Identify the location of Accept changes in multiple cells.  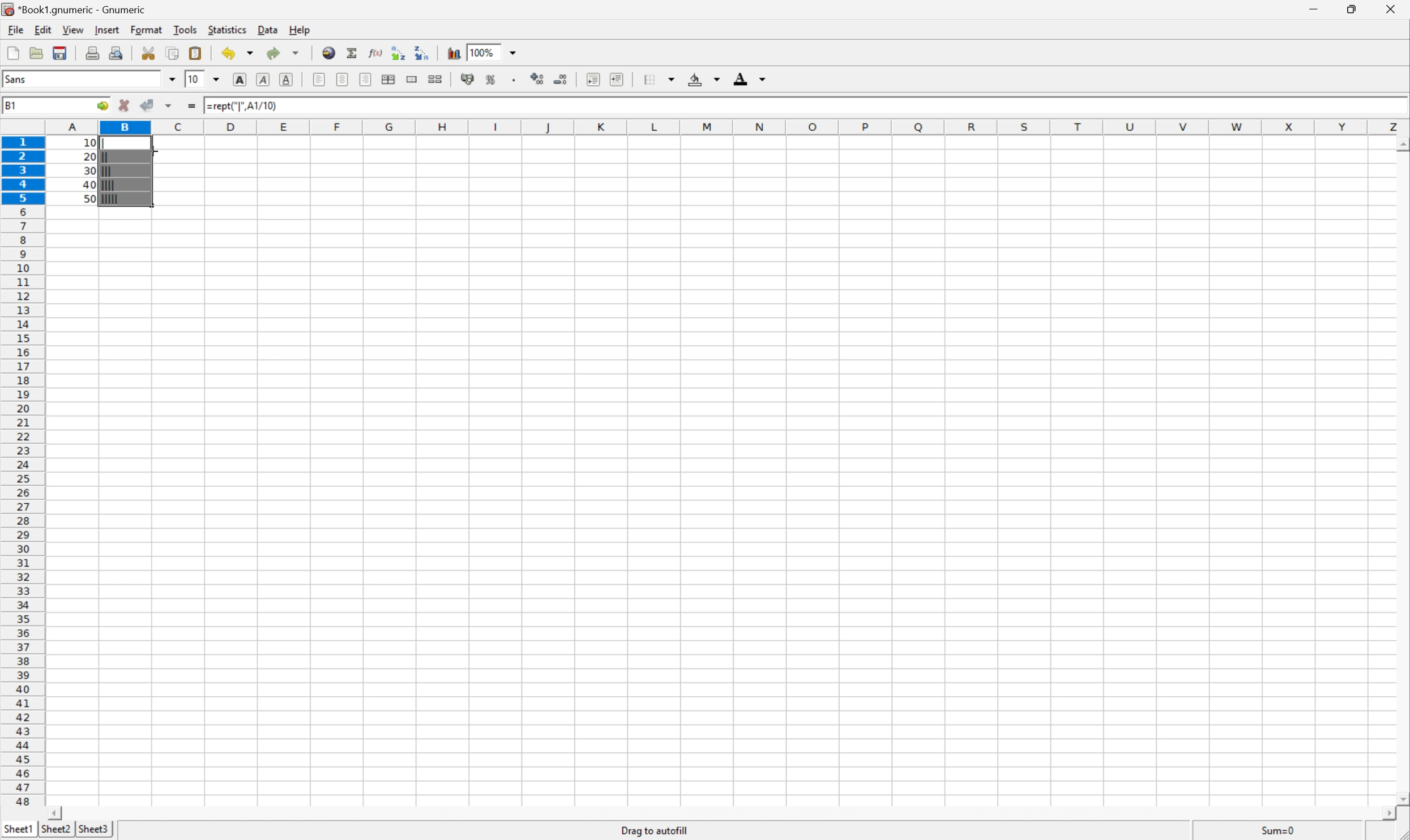
(170, 106).